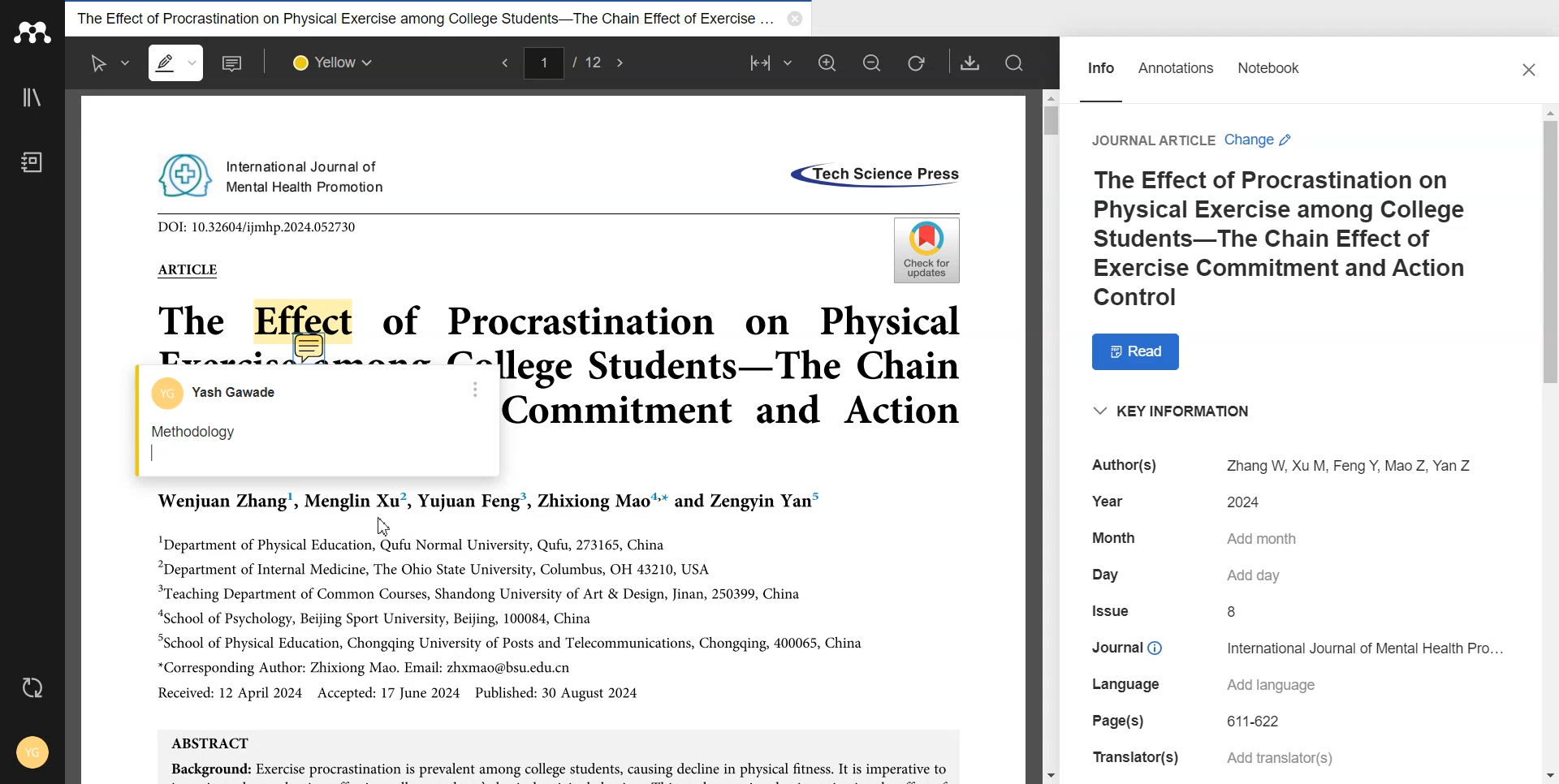  What do you see at coordinates (1262, 140) in the screenshot?
I see `Change` at bounding box center [1262, 140].